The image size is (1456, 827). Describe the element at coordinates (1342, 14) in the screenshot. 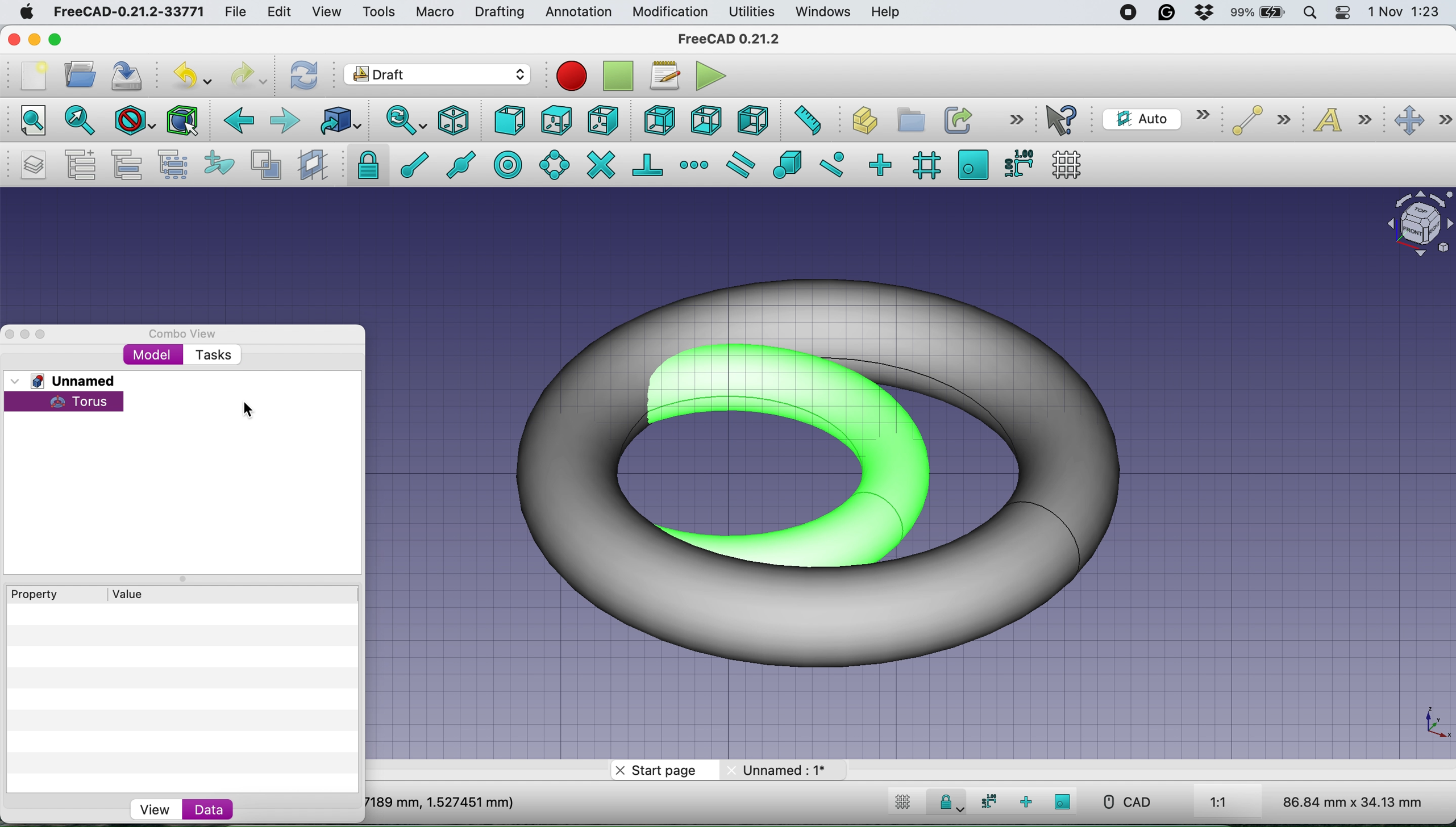

I see `control center` at that location.